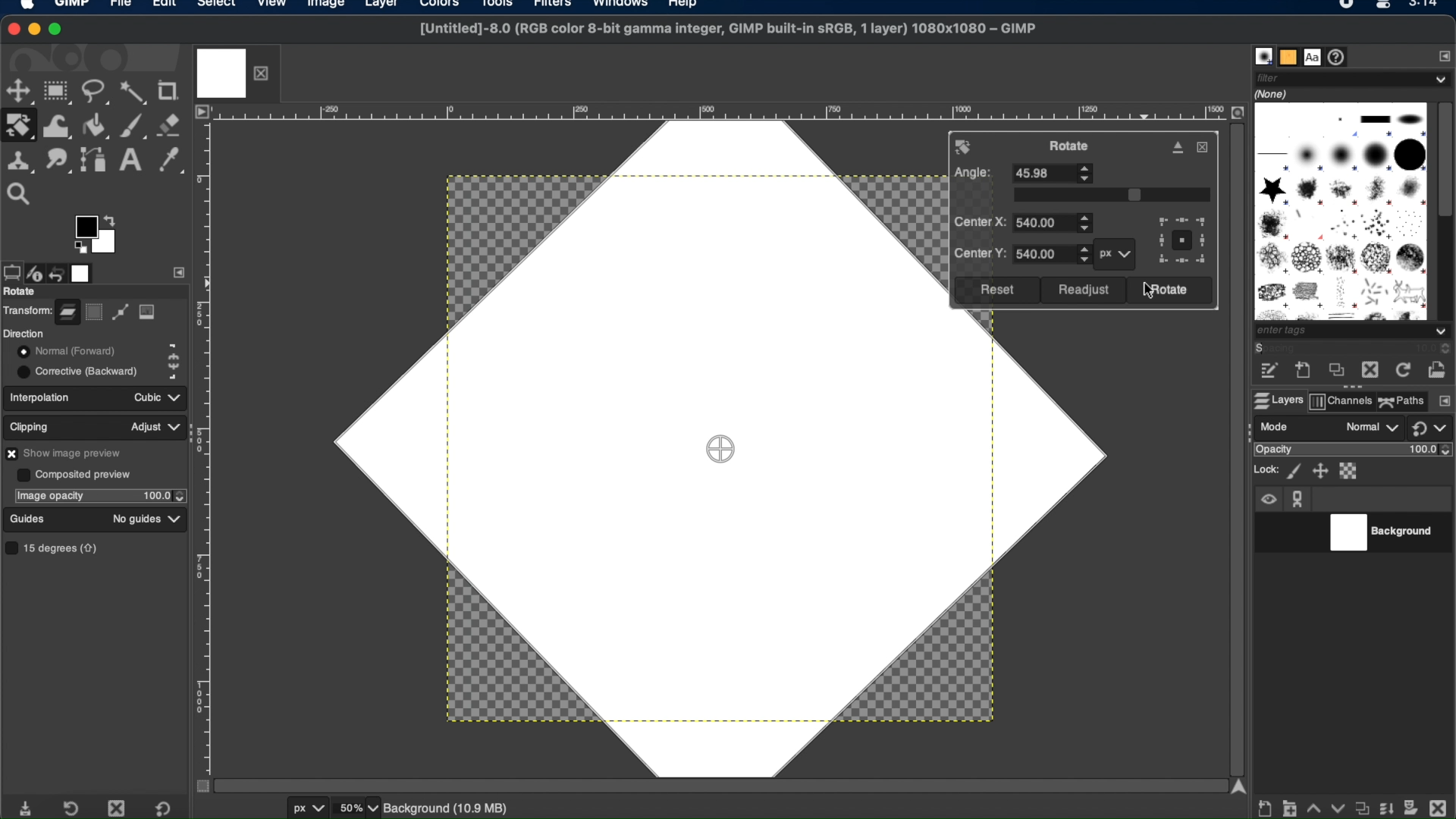 The width and height of the screenshot is (1456, 819). I want to click on duplicate properties, so click(1360, 805).